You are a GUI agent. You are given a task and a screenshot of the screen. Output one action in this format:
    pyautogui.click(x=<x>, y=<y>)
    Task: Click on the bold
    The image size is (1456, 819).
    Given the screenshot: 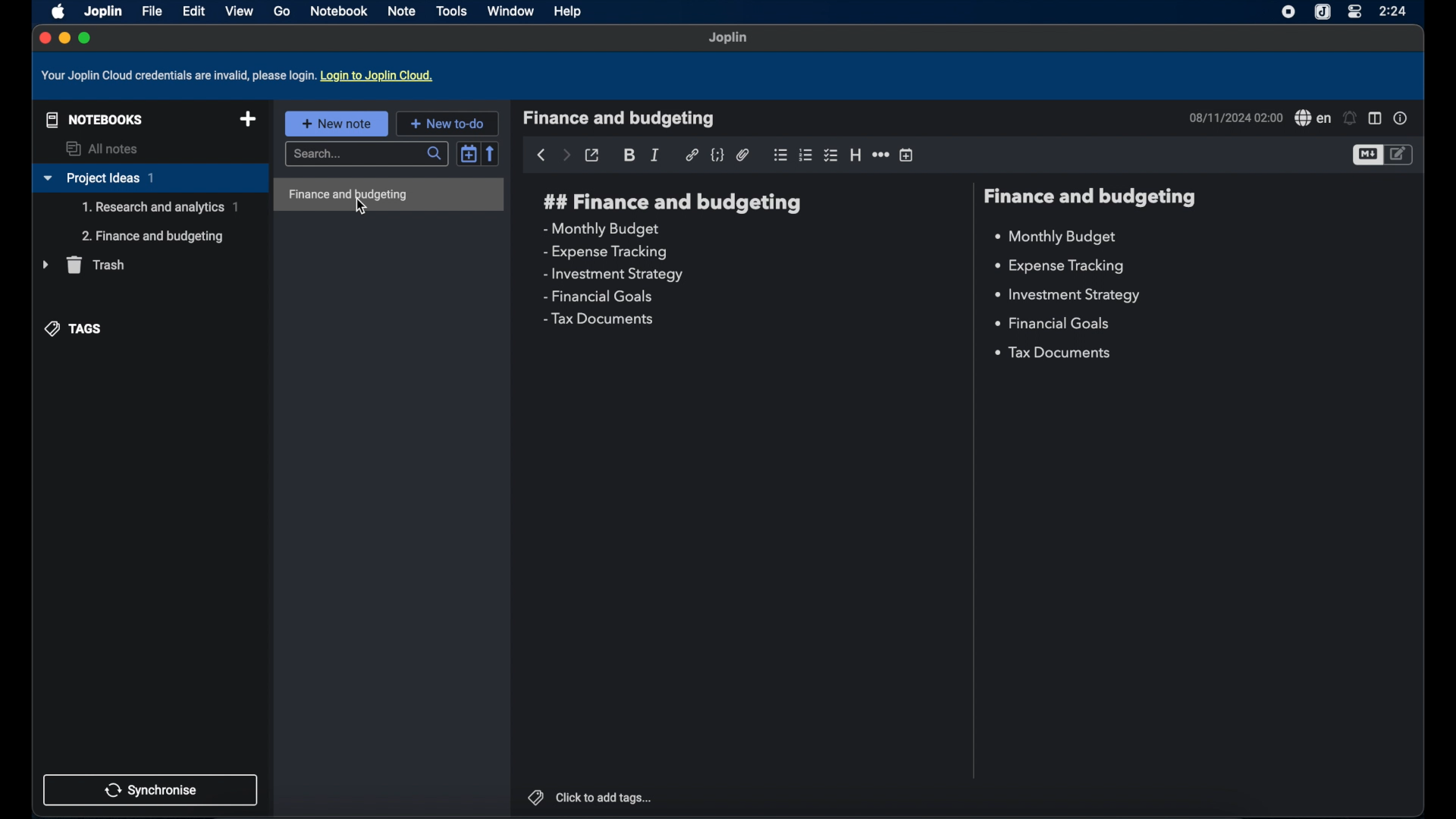 What is the action you would take?
    pyautogui.click(x=630, y=155)
    